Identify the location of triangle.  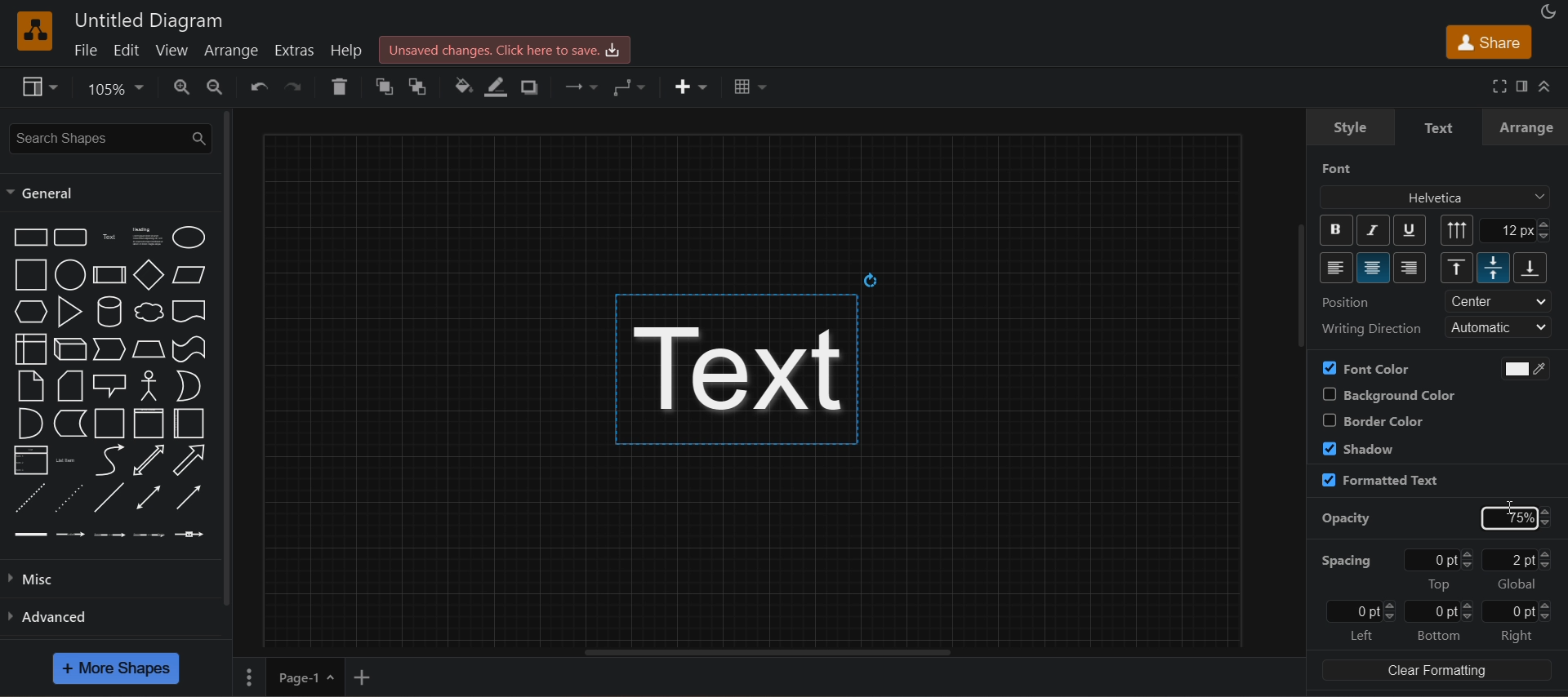
(70, 312).